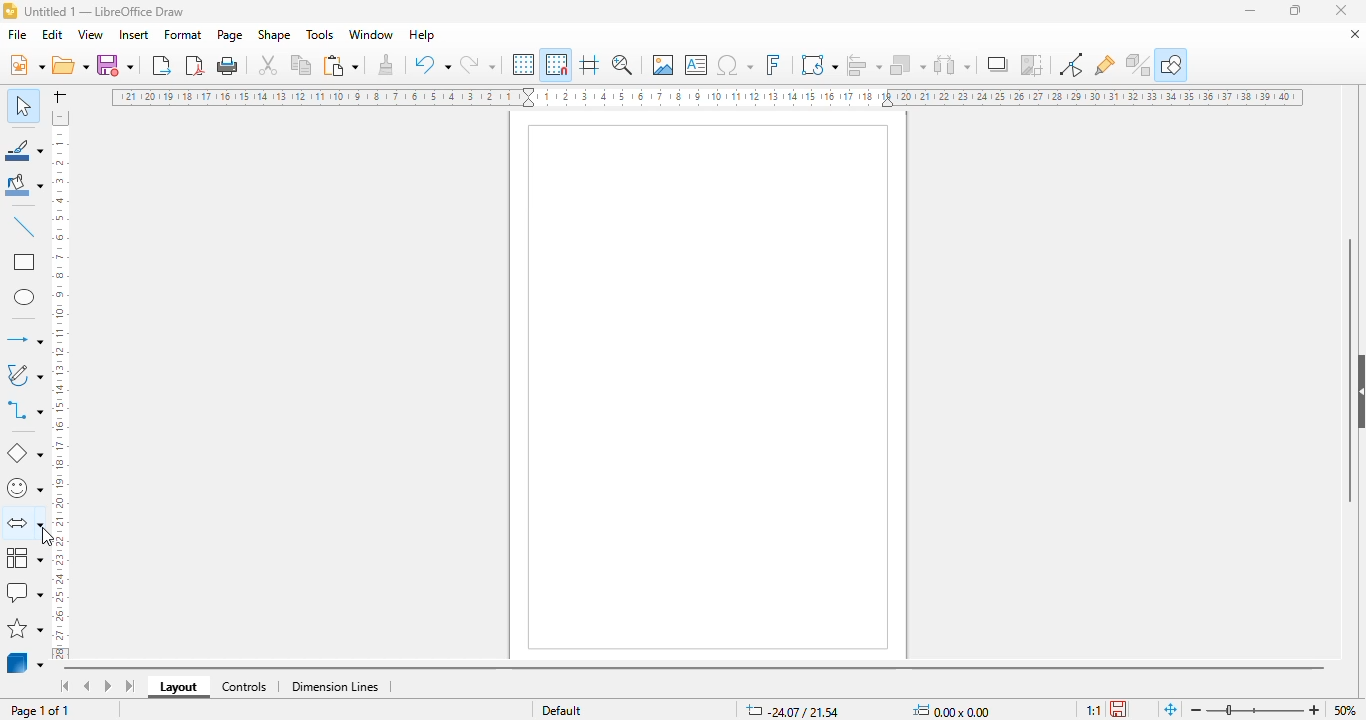  I want to click on scroll to last sheet, so click(131, 686).